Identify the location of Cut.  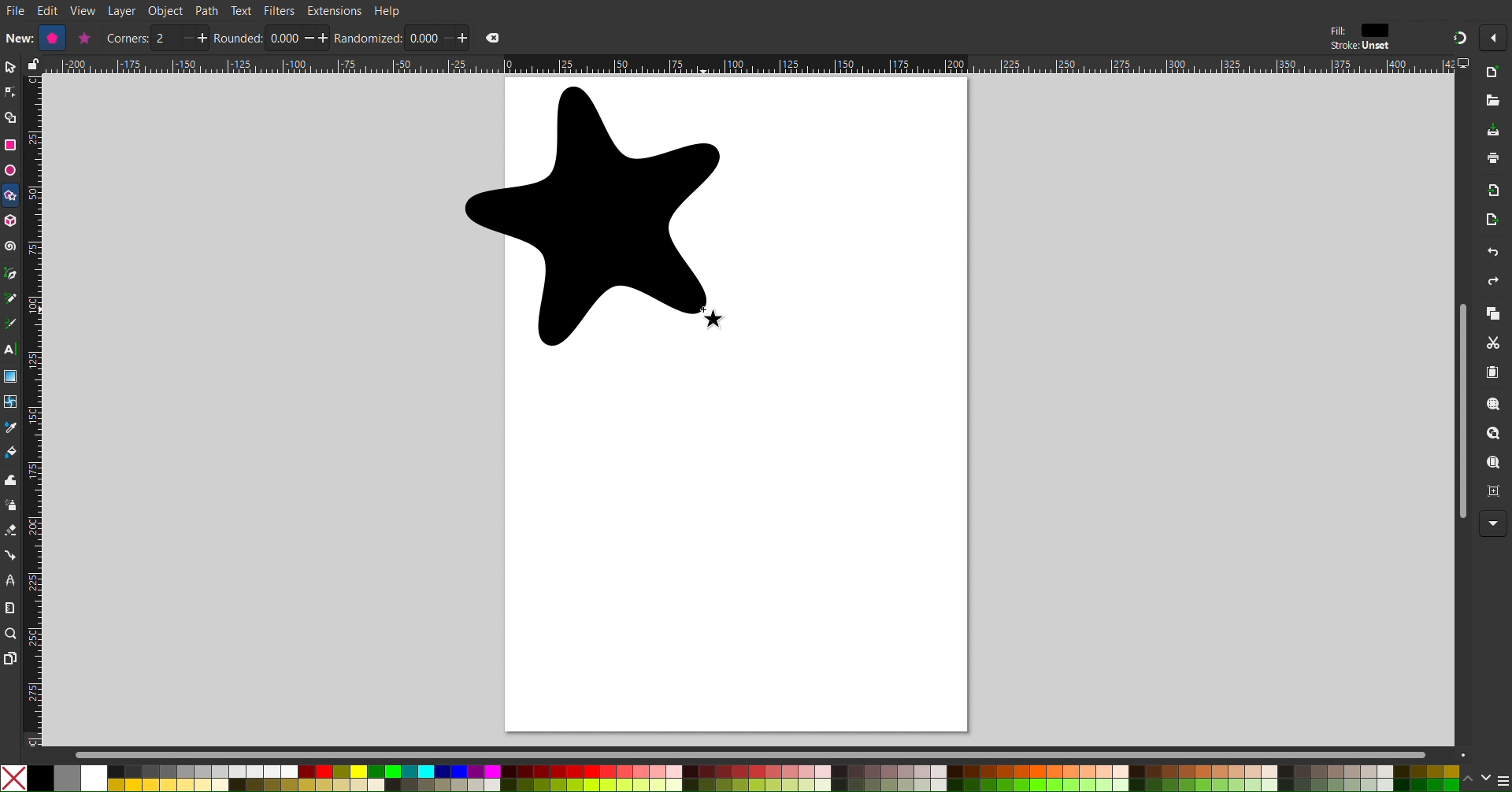
(1496, 344).